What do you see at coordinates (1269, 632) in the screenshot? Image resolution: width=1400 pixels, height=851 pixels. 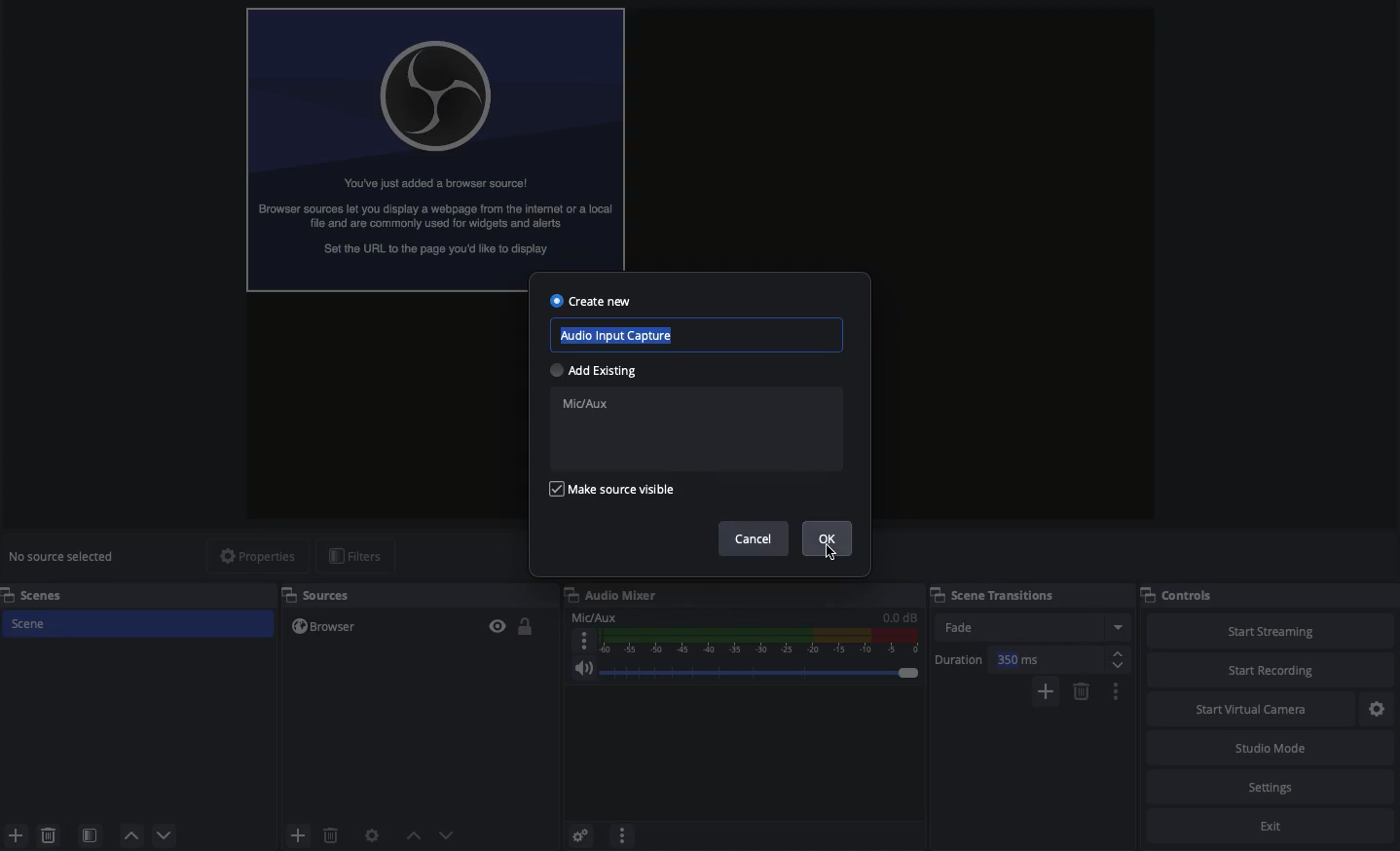 I see `Start streaming` at bounding box center [1269, 632].